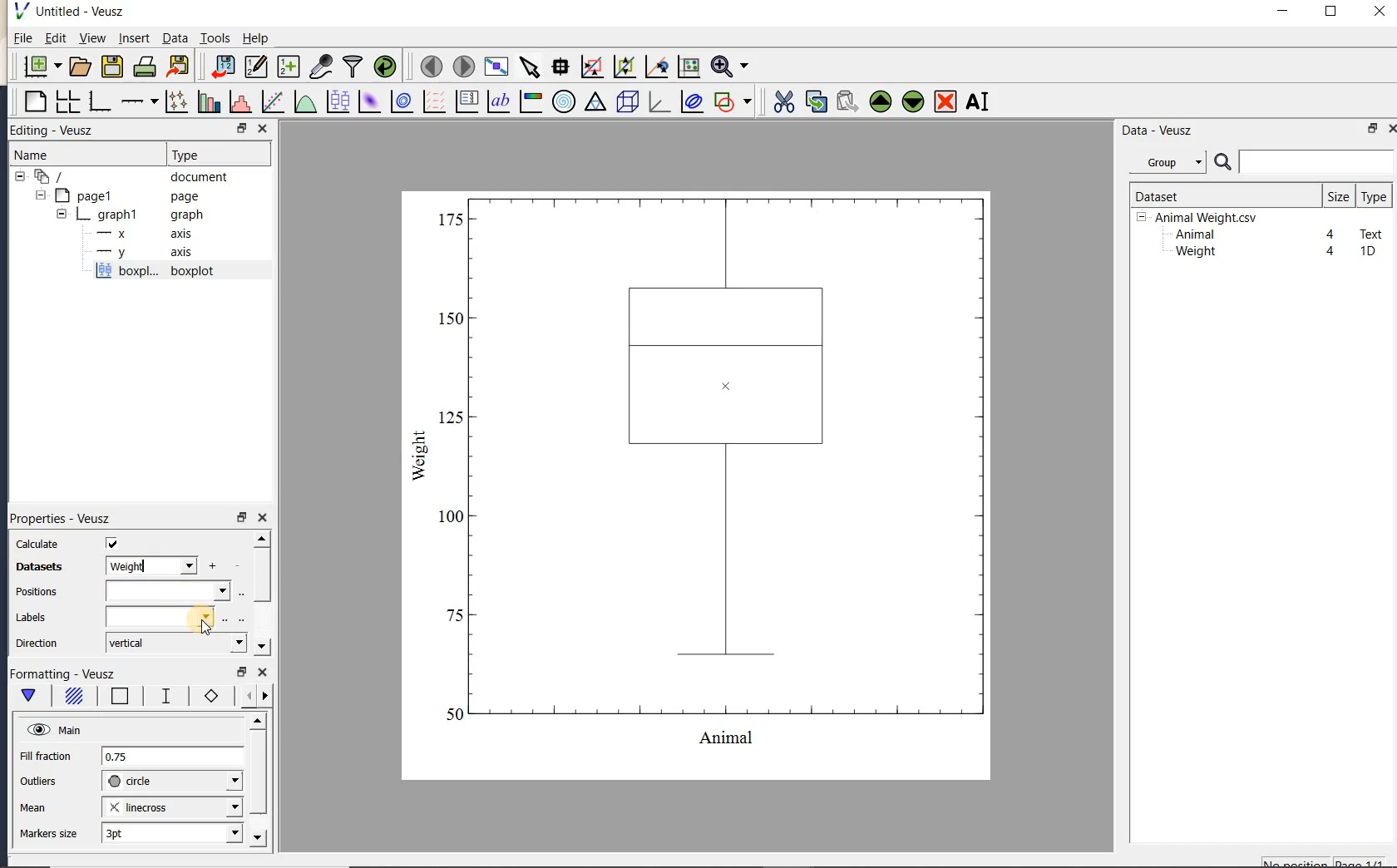 Image resolution: width=1397 pixels, height=868 pixels. I want to click on direction, so click(39, 643).